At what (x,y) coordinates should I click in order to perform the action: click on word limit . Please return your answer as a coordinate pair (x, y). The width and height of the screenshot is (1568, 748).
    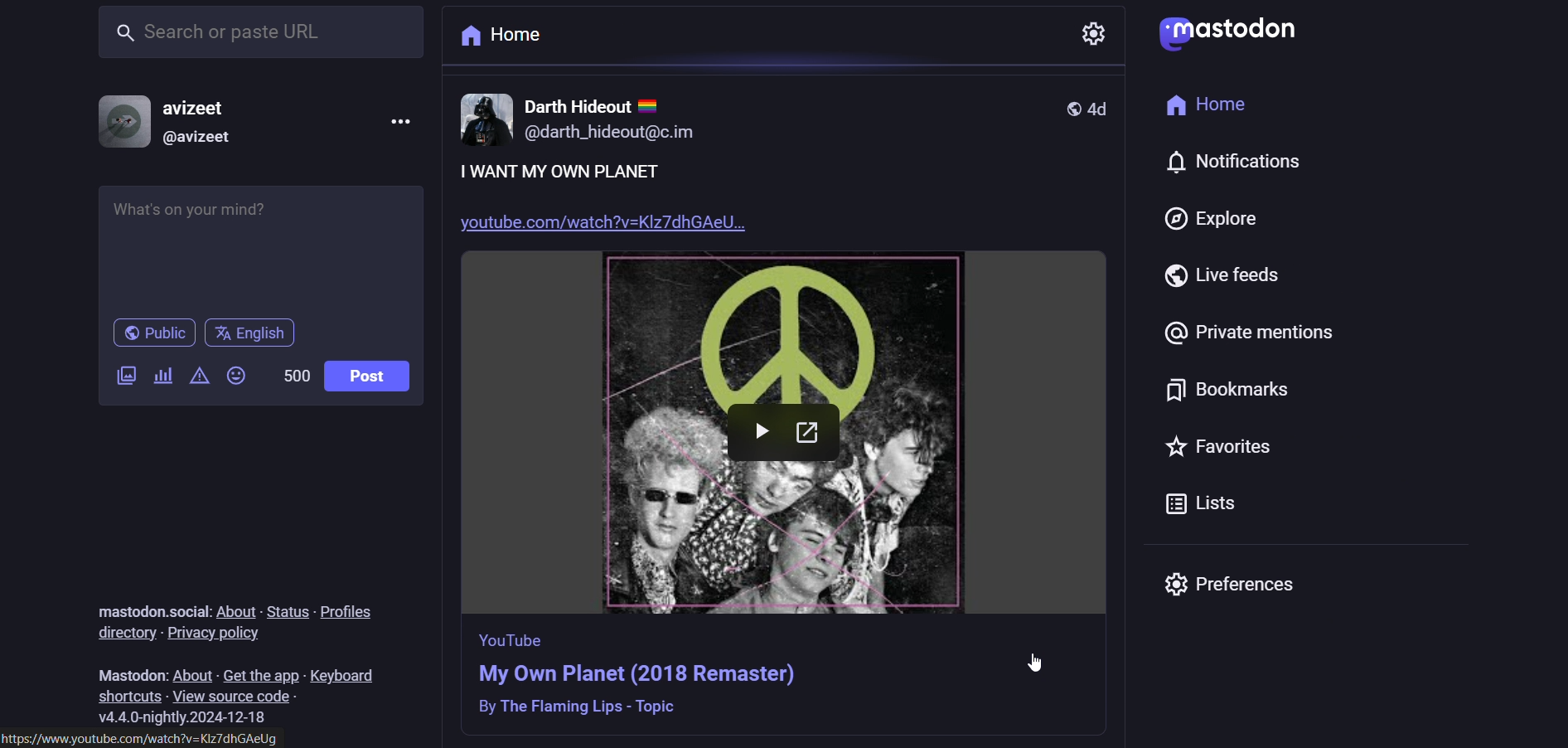
    Looking at the image, I should click on (295, 381).